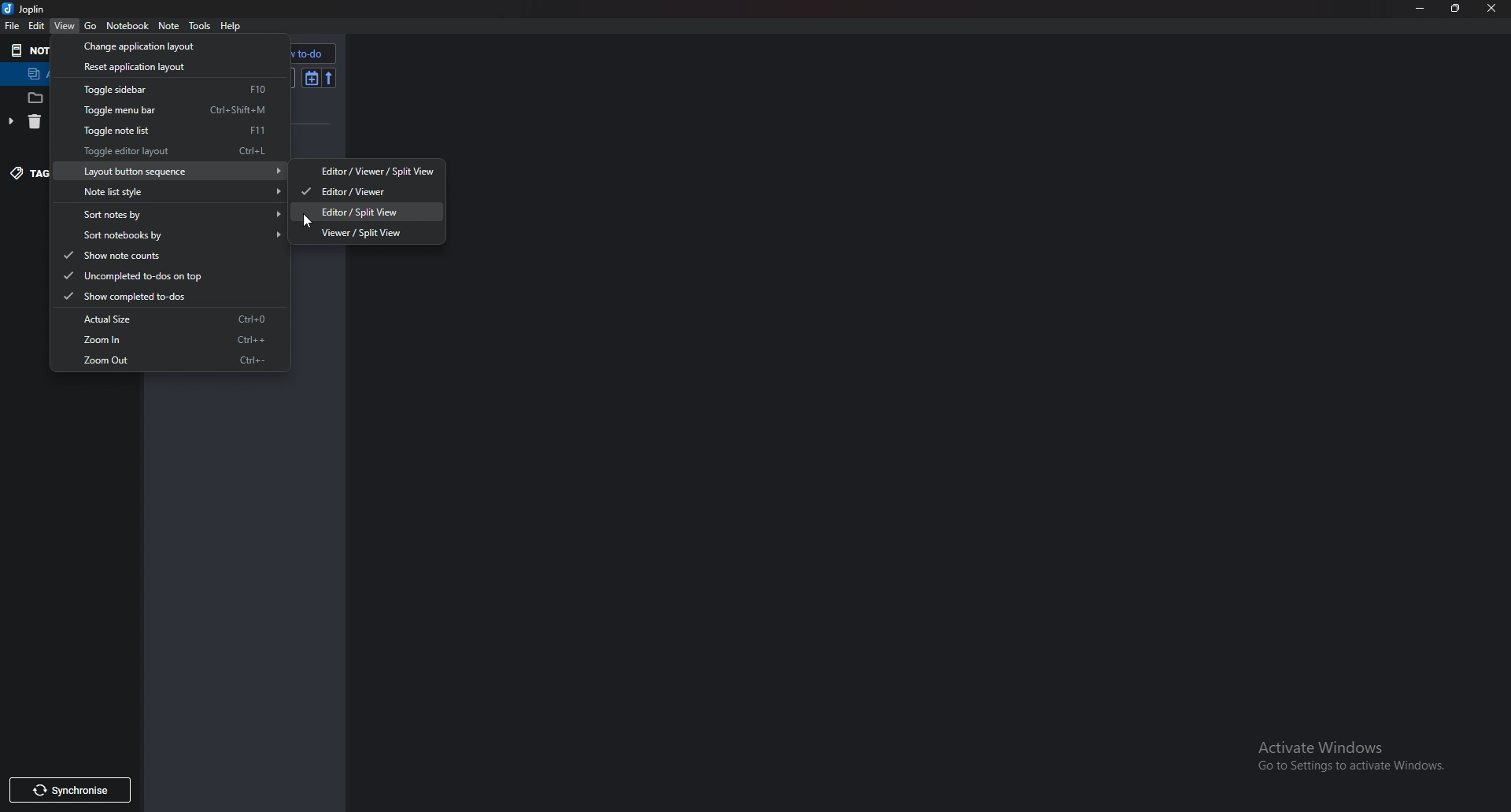  I want to click on toggle menu bar, so click(167, 109).